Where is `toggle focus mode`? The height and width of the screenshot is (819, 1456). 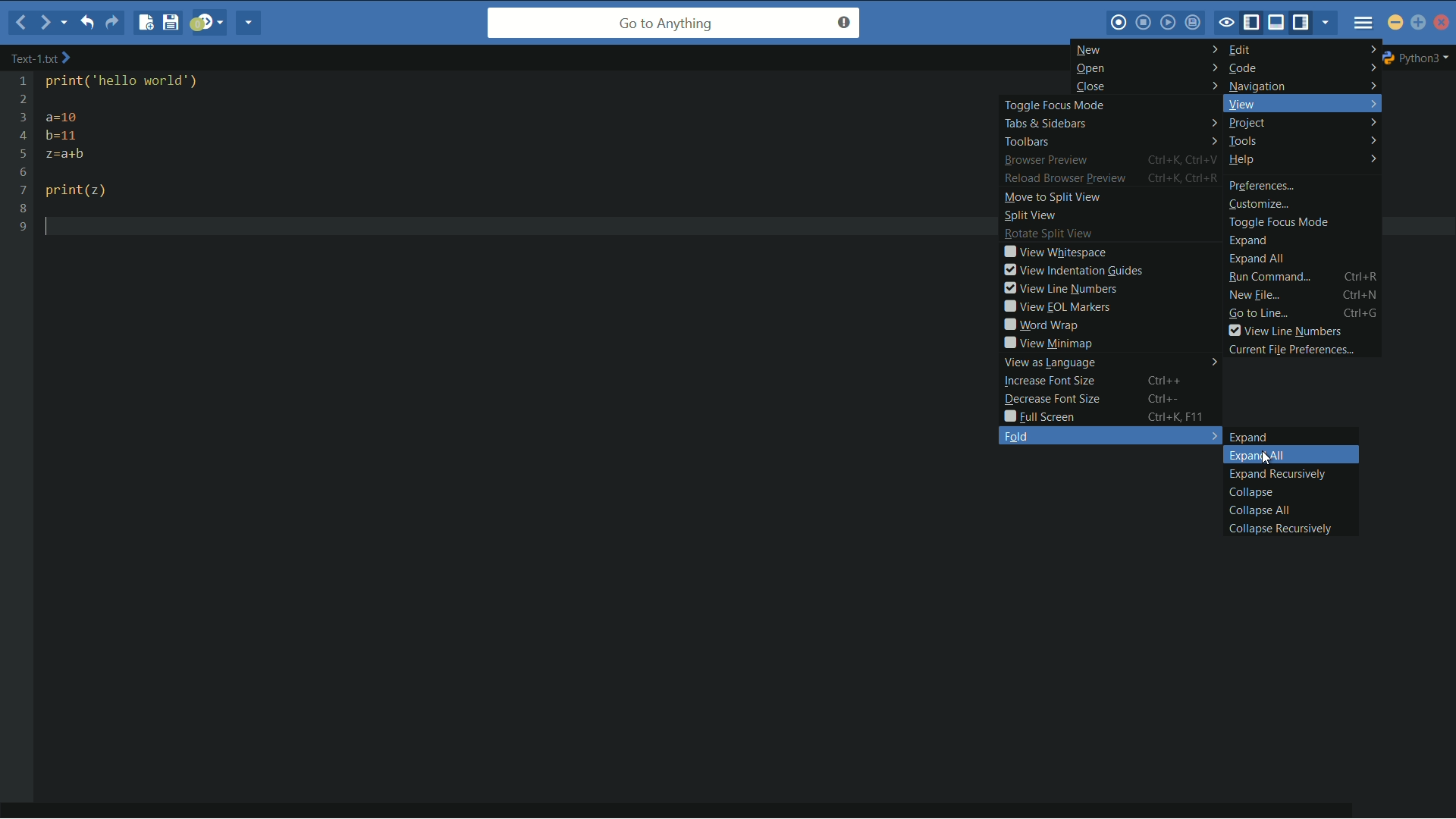
toggle focus mode is located at coordinates (1227, 22).